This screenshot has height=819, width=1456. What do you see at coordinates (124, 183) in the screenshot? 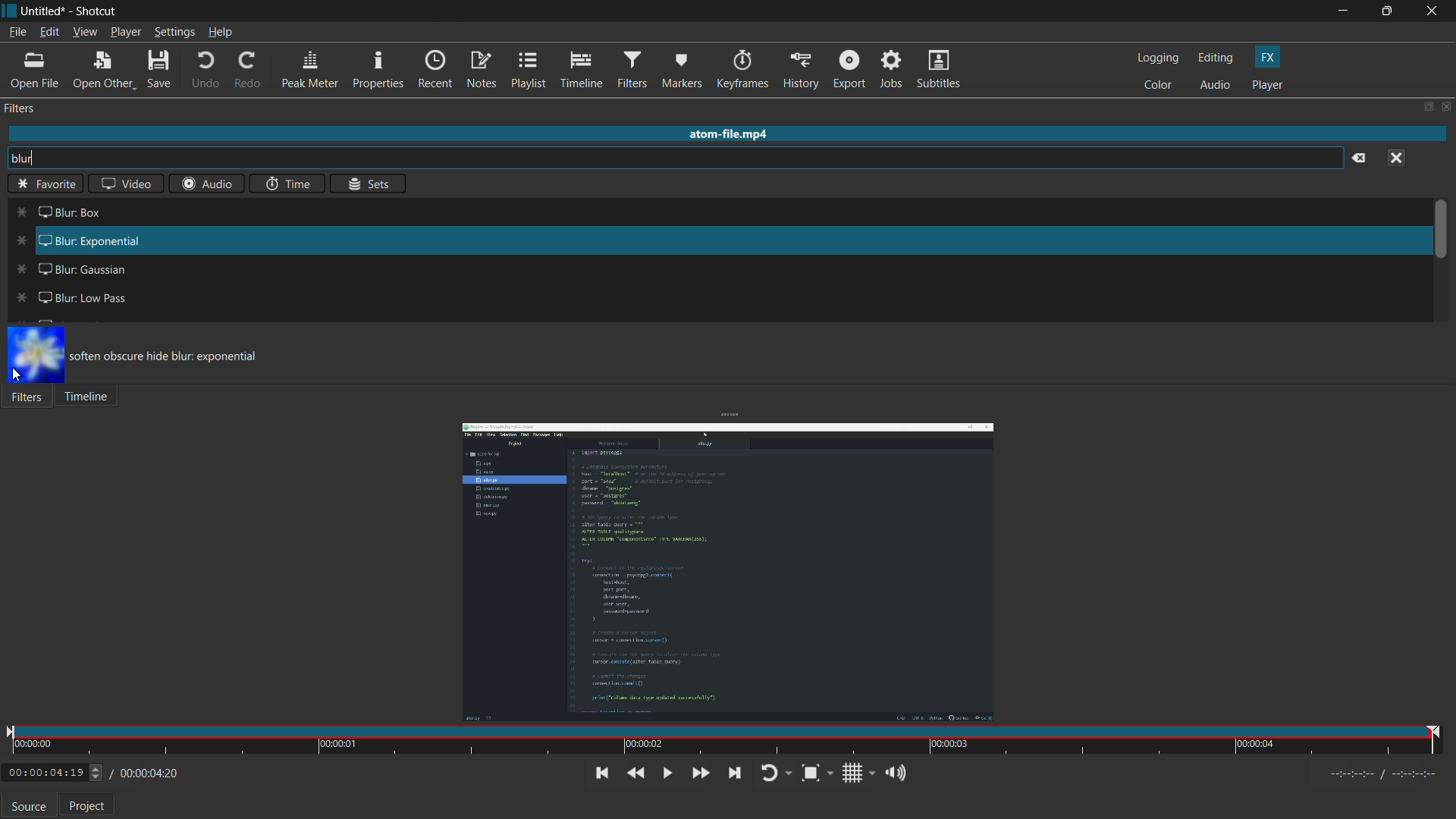
I see `video` at bounding box center [124, 183].